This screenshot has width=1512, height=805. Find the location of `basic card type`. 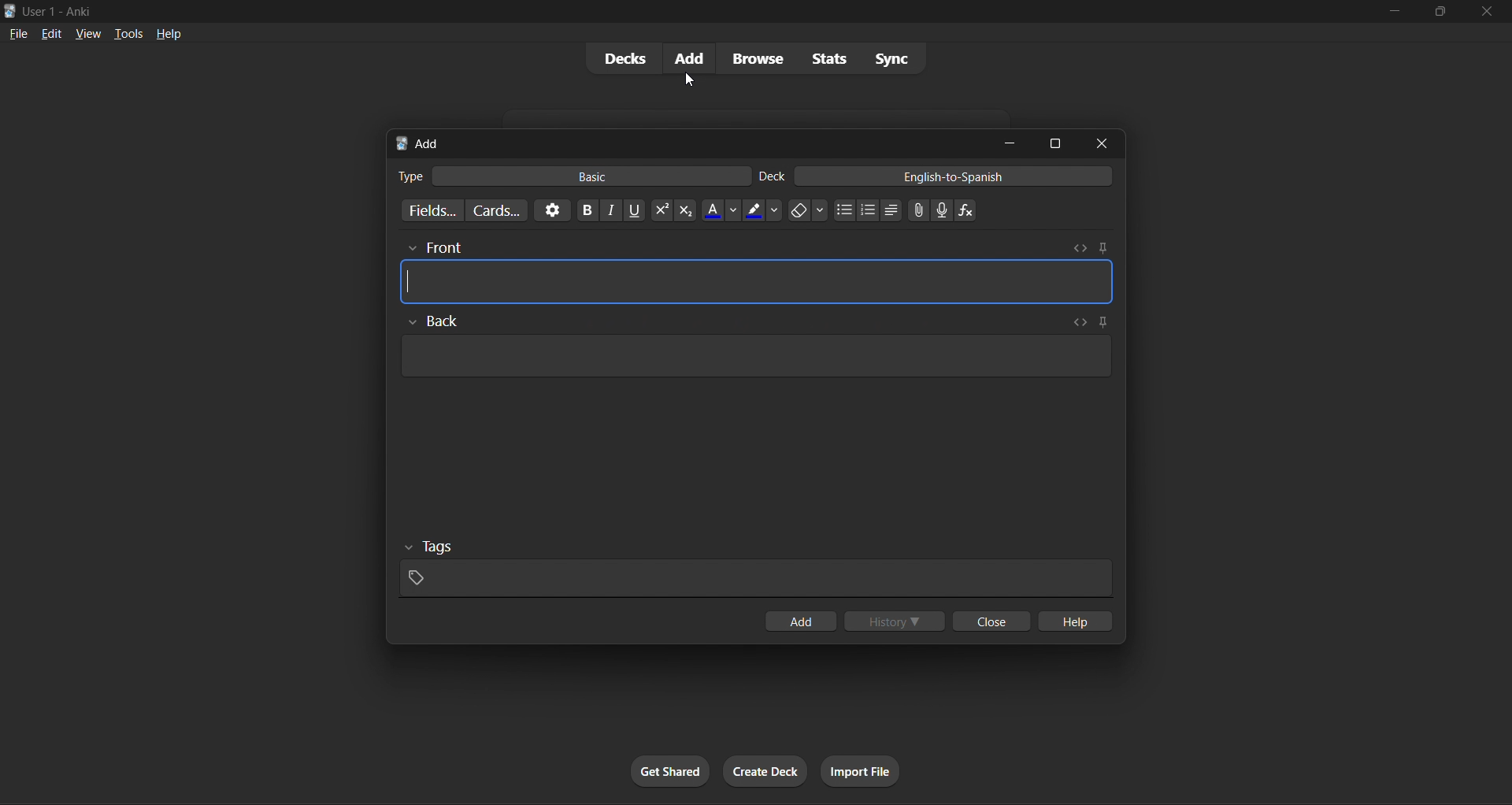

basic card type is located at coordinates (572, 173).